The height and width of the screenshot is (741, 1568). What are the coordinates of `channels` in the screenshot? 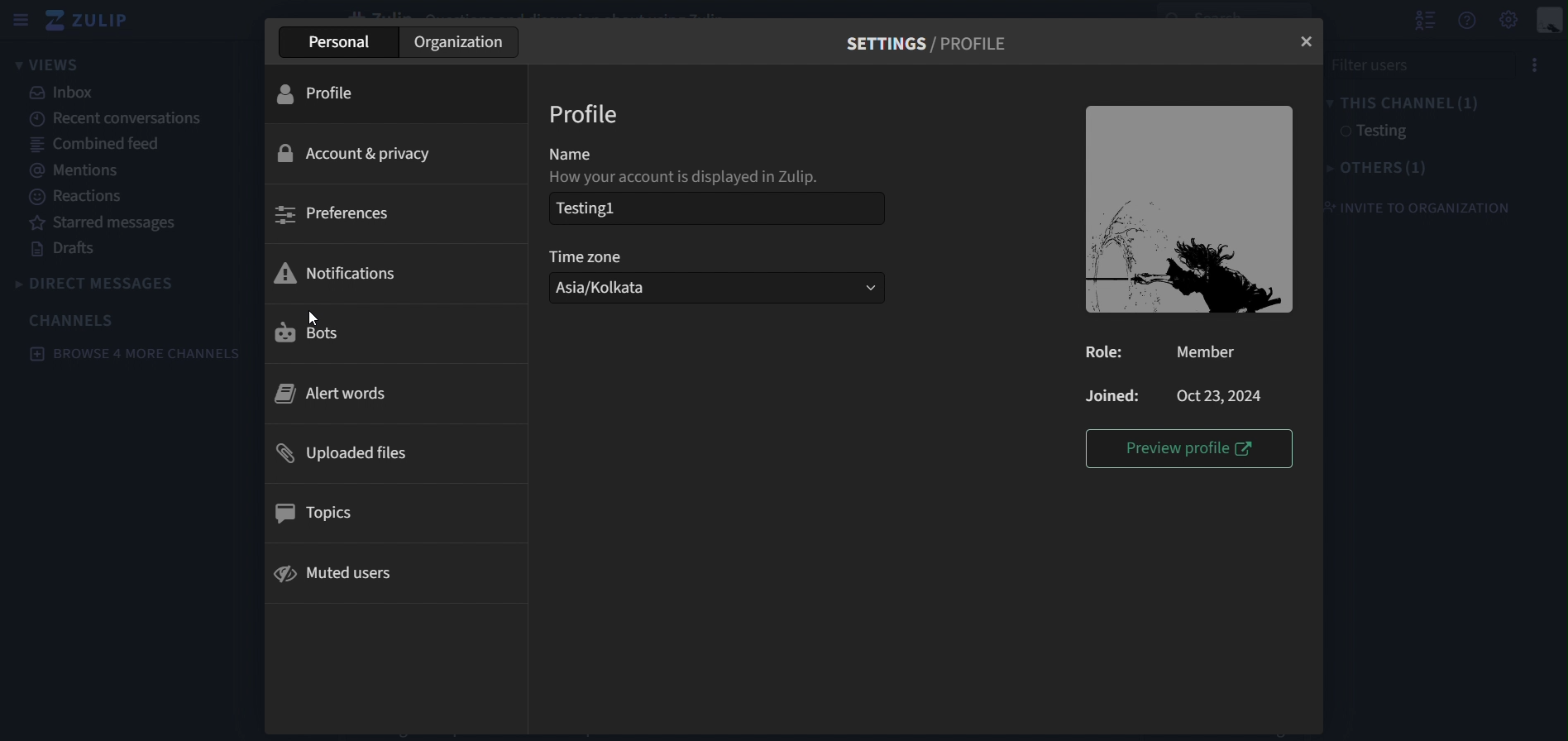 It's located at (74, 320).